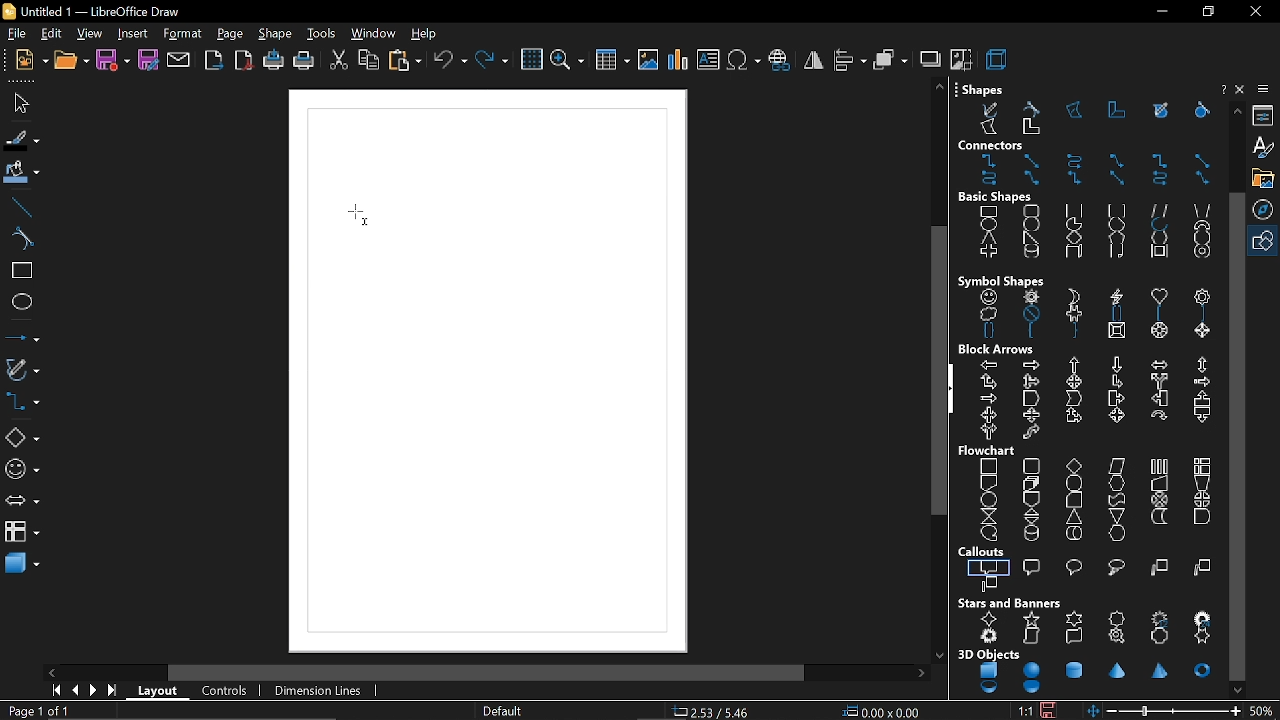  What do you see at coordinates (1117, 482) in the screenshot?
I see `preparation` at bounding box center [1117, 482].